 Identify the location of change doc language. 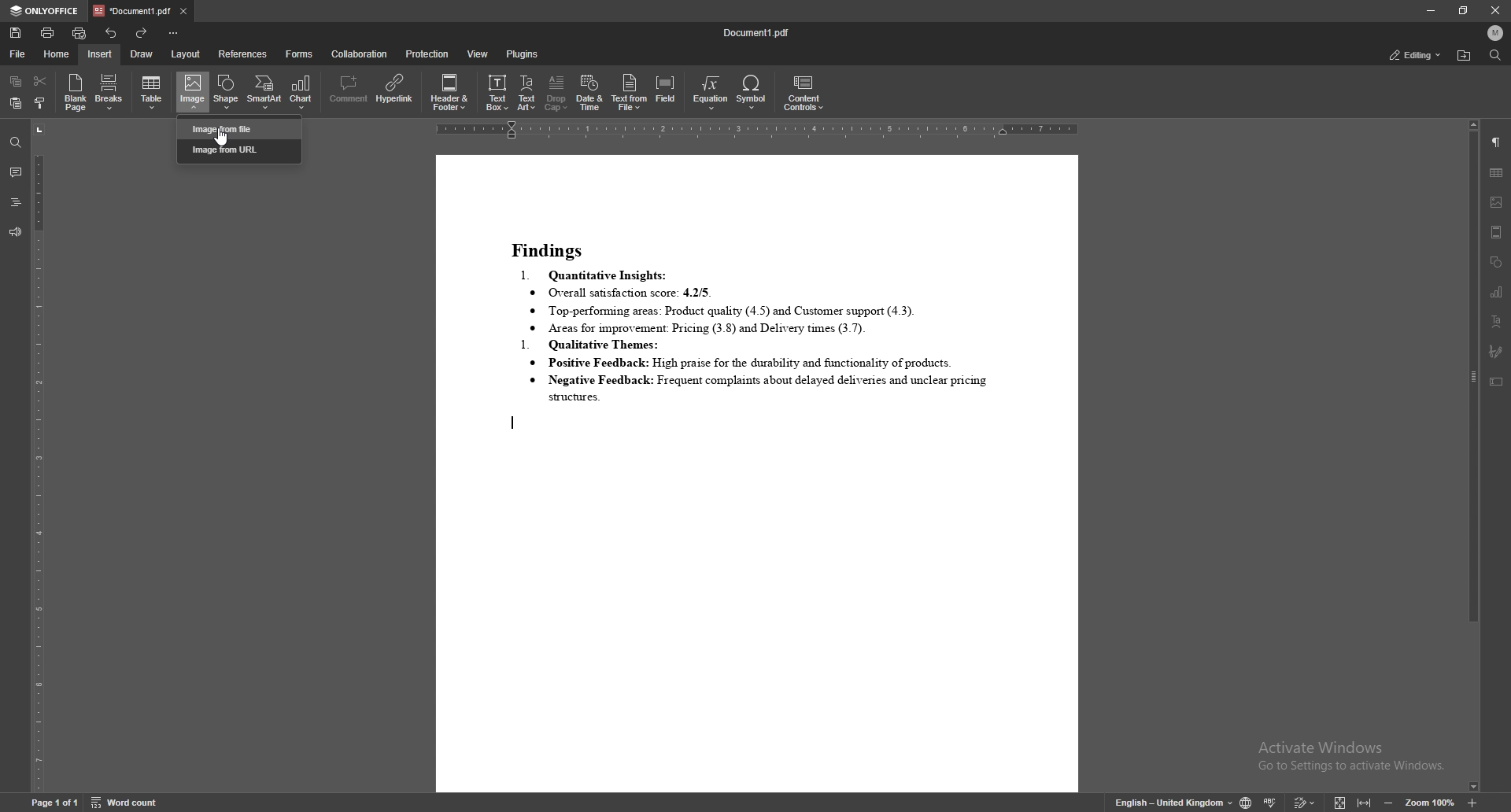
(1245, 803).